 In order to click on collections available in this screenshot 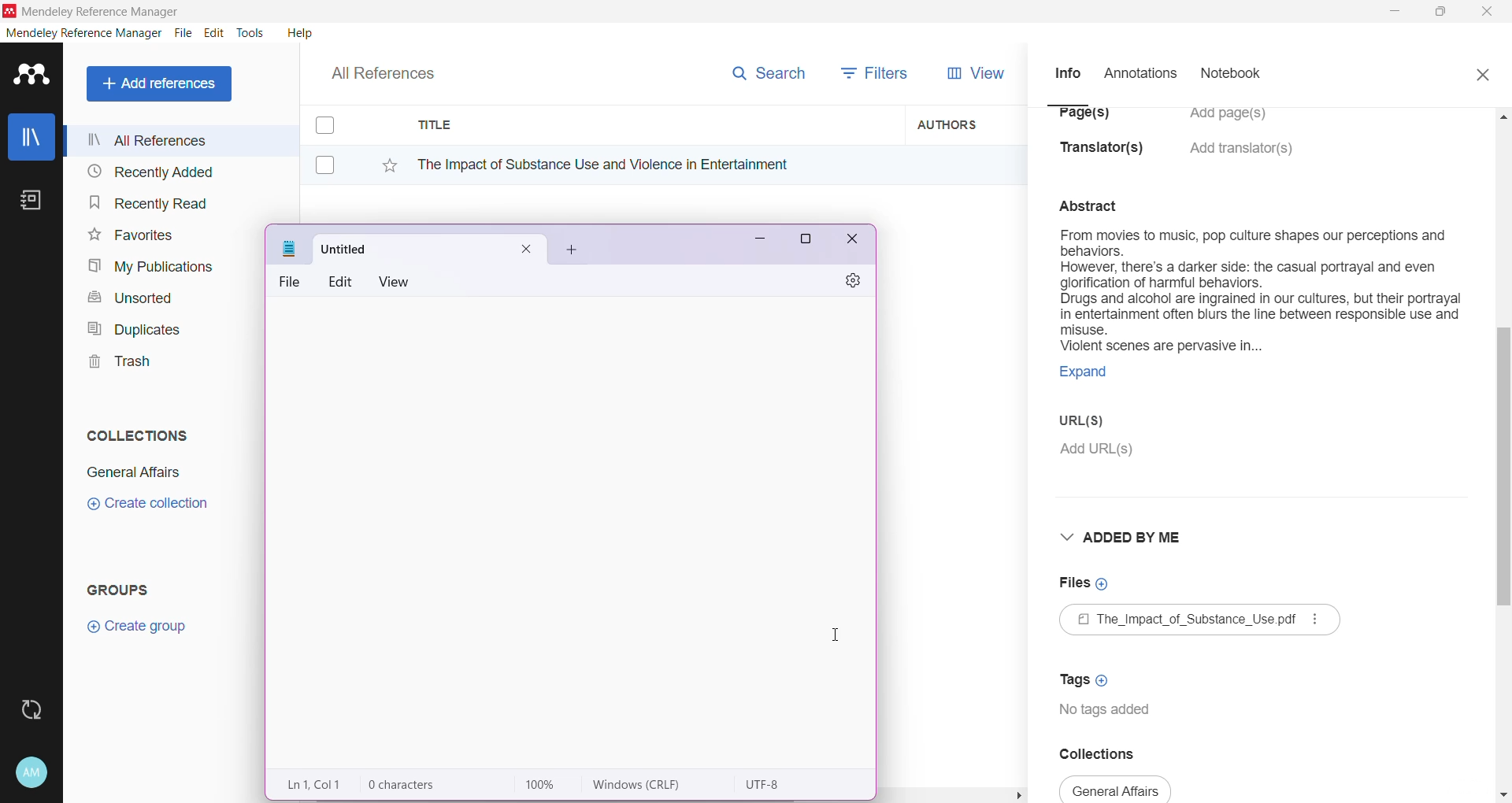, I will do `click(1117, 789)`.